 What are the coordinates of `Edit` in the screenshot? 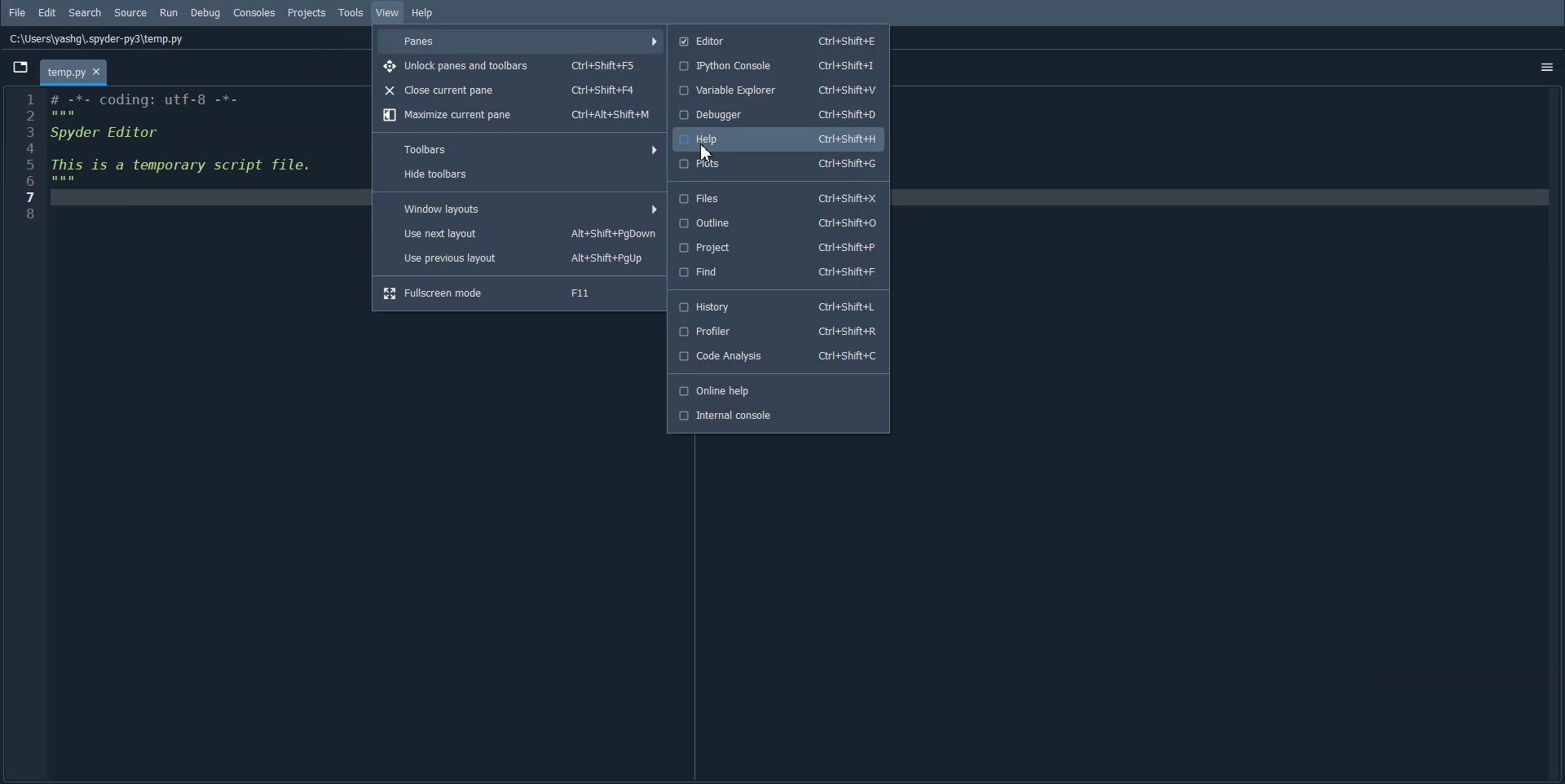 It's located at (47, 13).